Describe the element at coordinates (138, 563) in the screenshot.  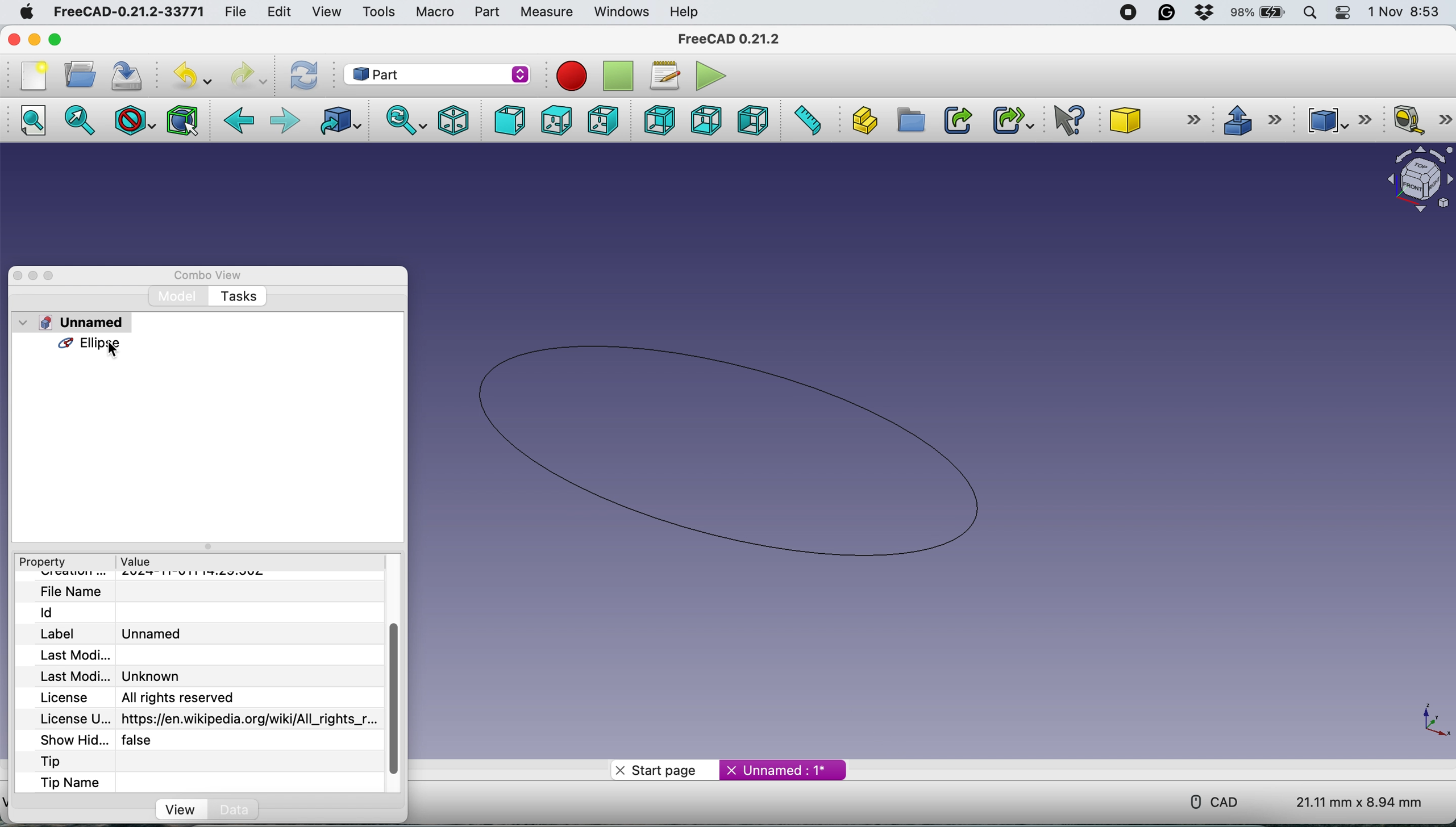
I see `value` at that location.